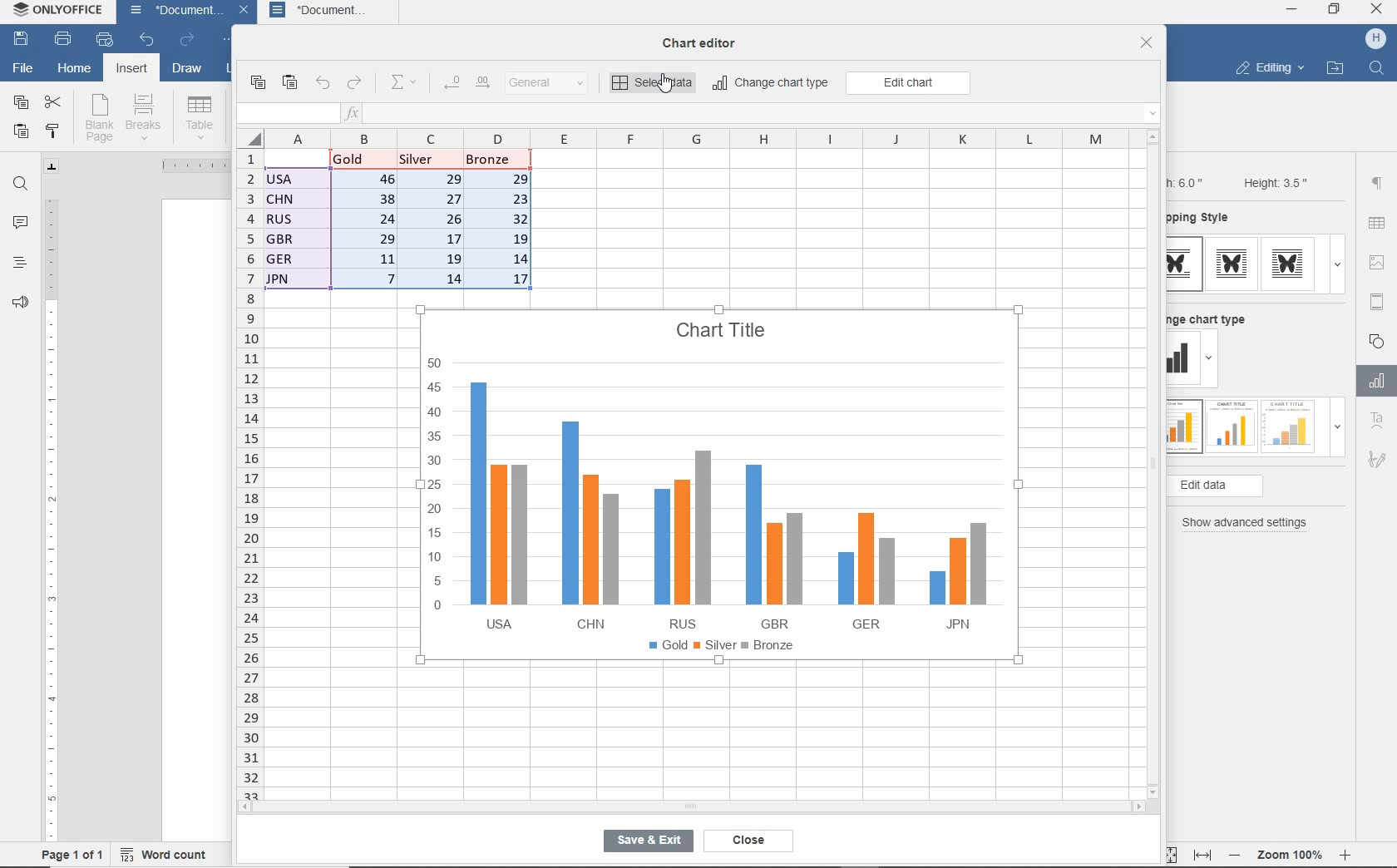 This screenshot has width=1397, height=868. What do you see at coordinates (20, 103) in the screenshot?
I see `copy` at bounding box center [20, 103].